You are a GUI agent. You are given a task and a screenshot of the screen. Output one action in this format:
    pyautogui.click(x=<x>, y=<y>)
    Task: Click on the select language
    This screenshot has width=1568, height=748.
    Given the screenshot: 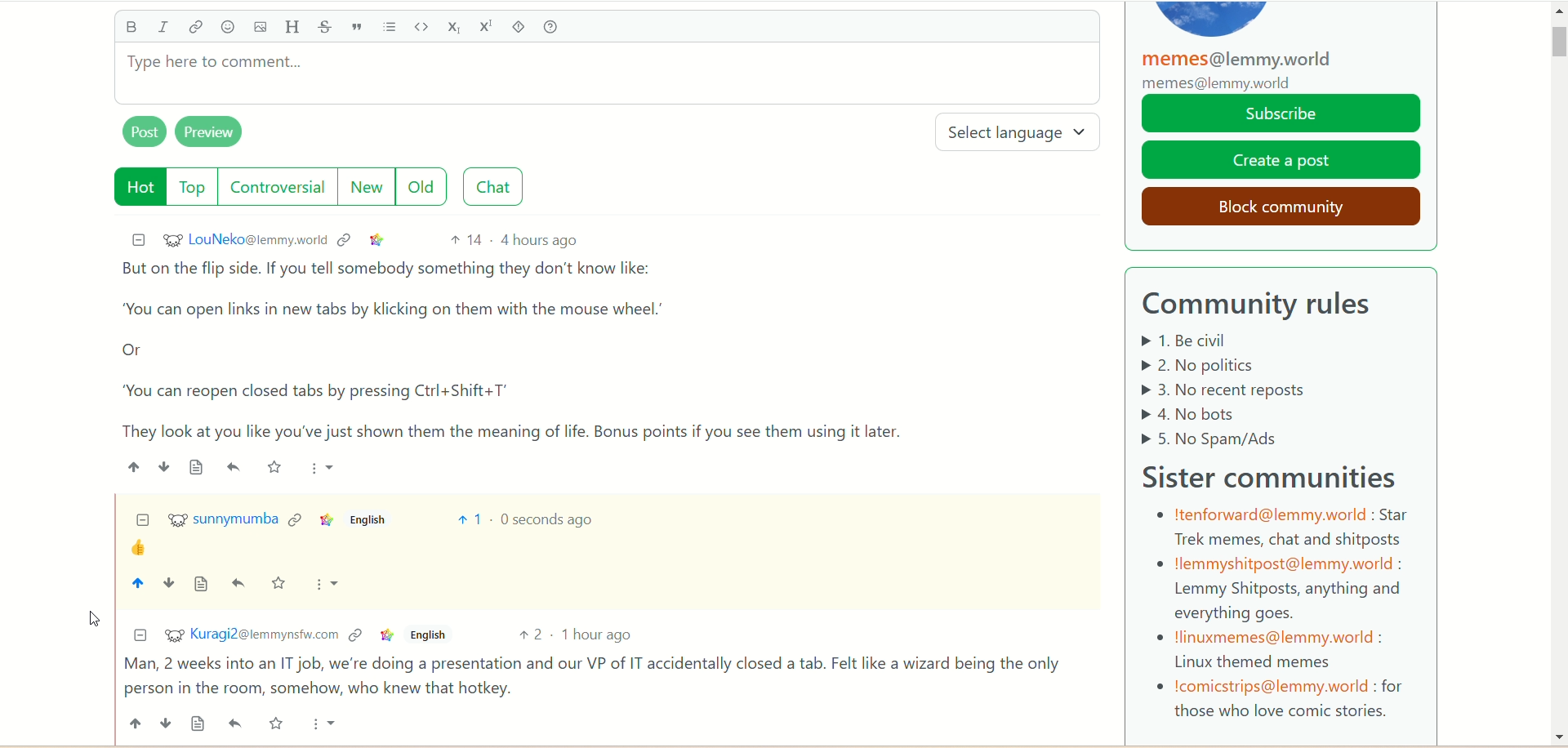 What is the action you would take?
    pyautogui.click(x=1025, y=134)
    